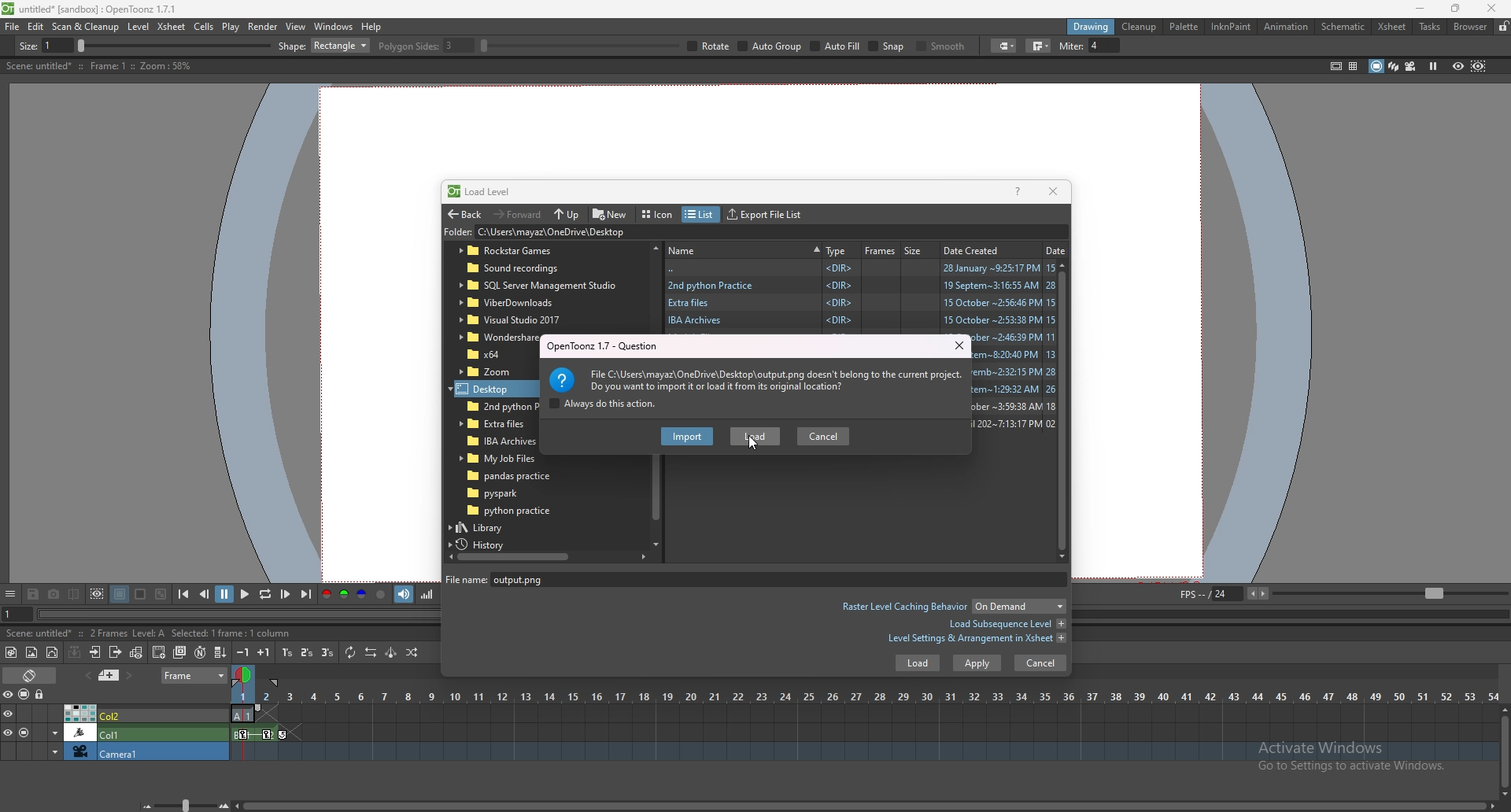 The image size is (1511, 812). What do you see at coordinates (464, 215) in the screenshot?
I see `back` at bounding box center [464, 215].